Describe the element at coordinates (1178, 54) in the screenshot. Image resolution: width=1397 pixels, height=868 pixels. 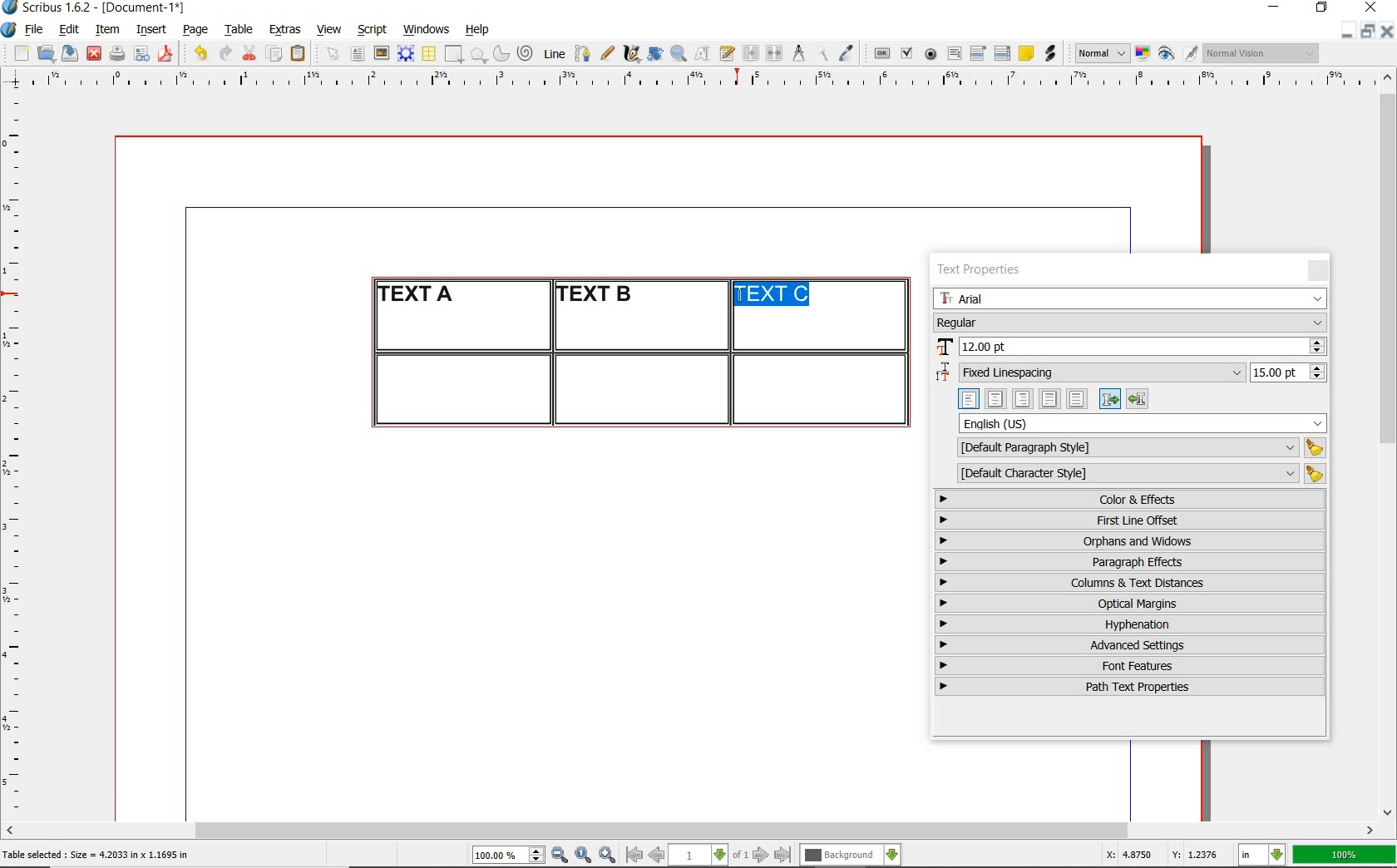
I see `preview mode` at that location.